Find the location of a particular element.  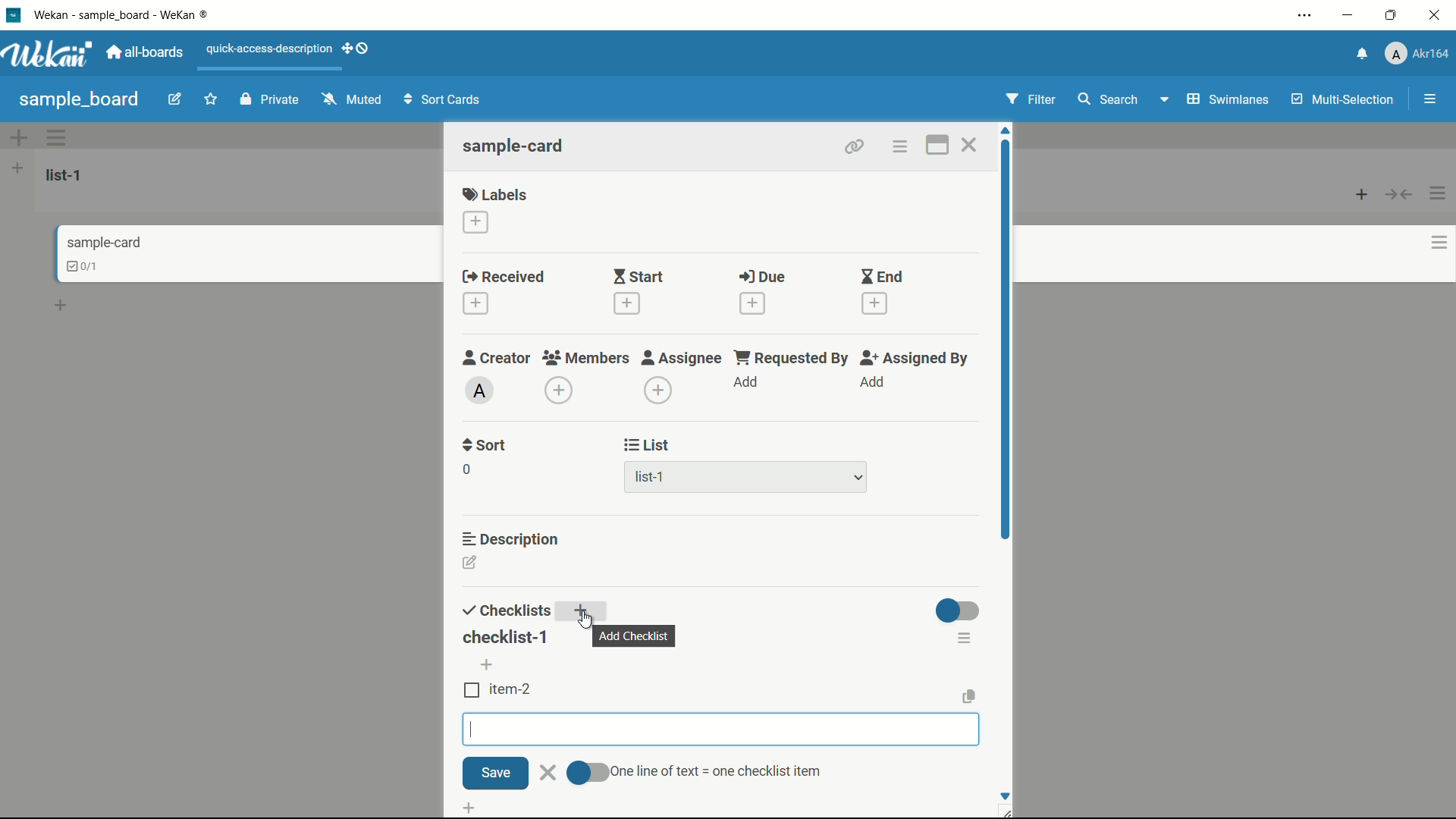

add list is located at coordinates (17, 168).